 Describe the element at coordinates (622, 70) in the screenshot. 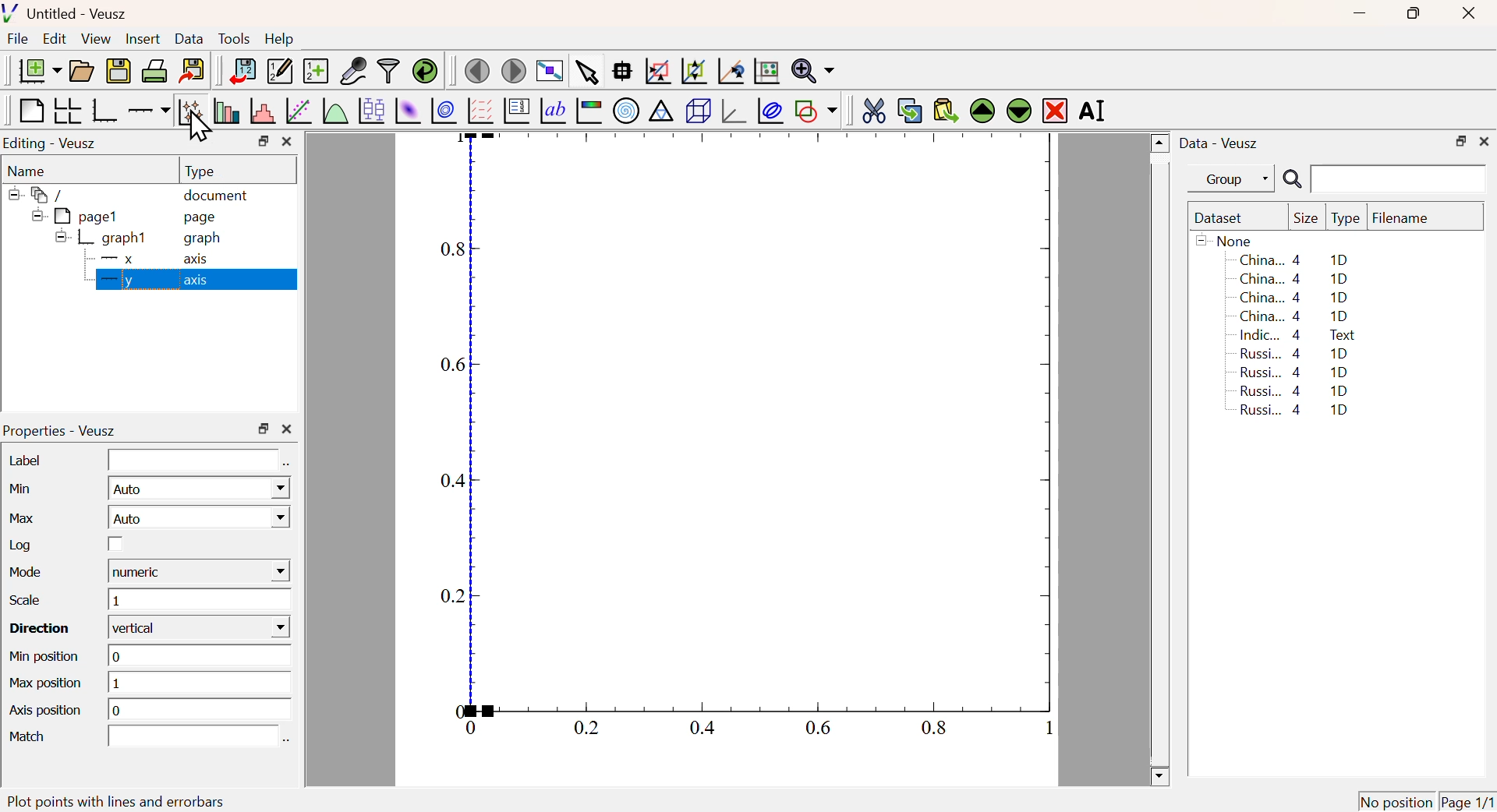

I see `Read Data points on graph` at that location.